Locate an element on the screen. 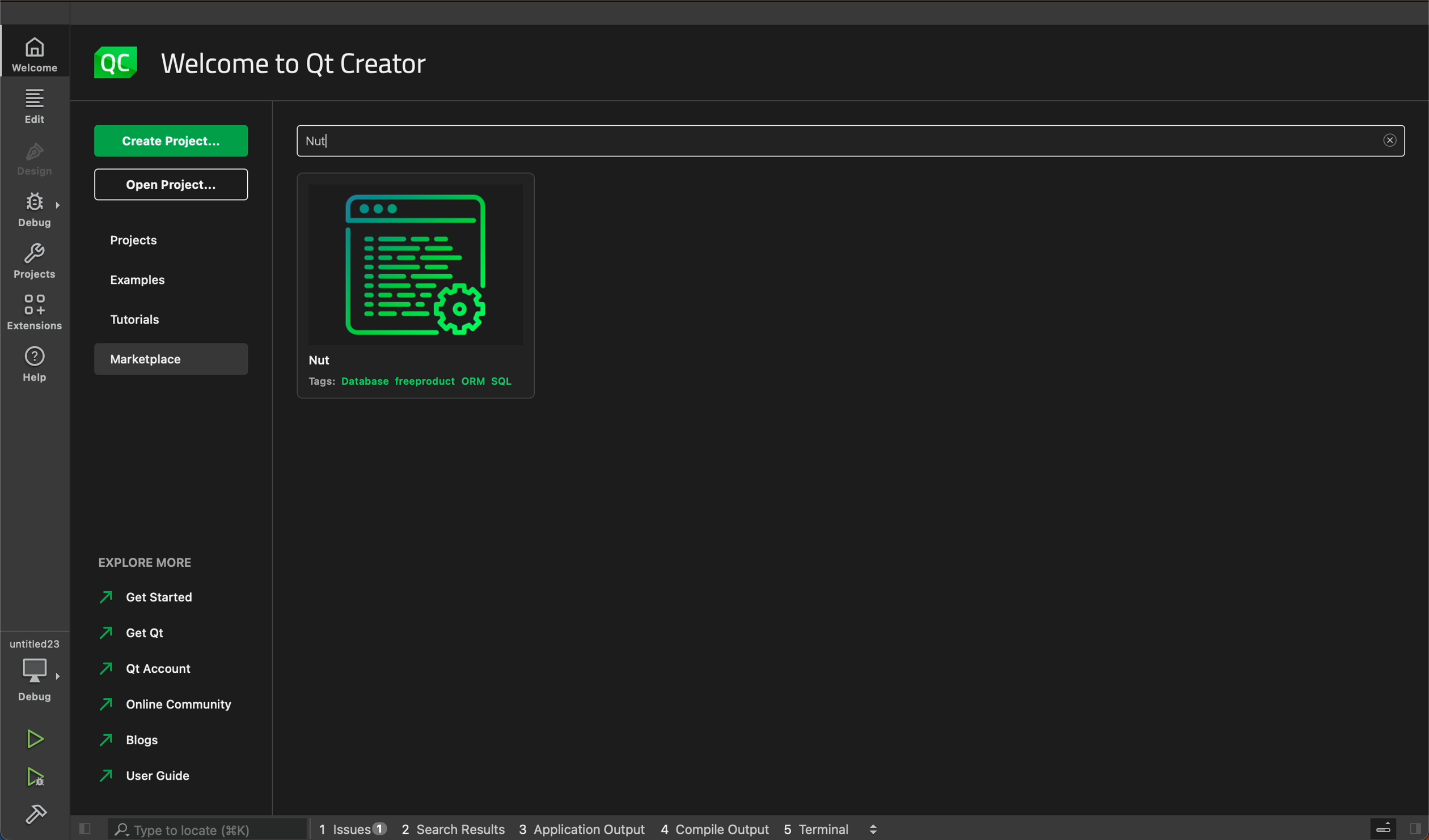 The image size is (1429, 840).  is located at coordinates (166, 745).